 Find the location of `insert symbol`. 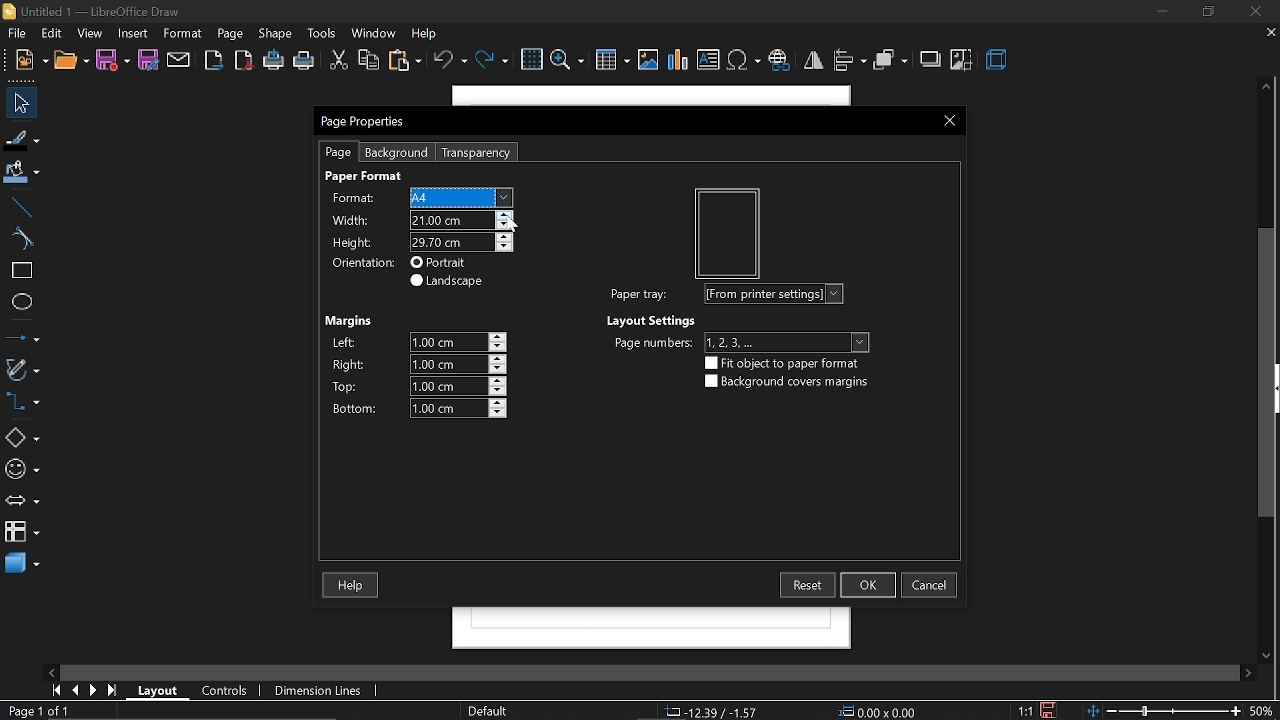

insert symbol is located at coordinates (744, 60).